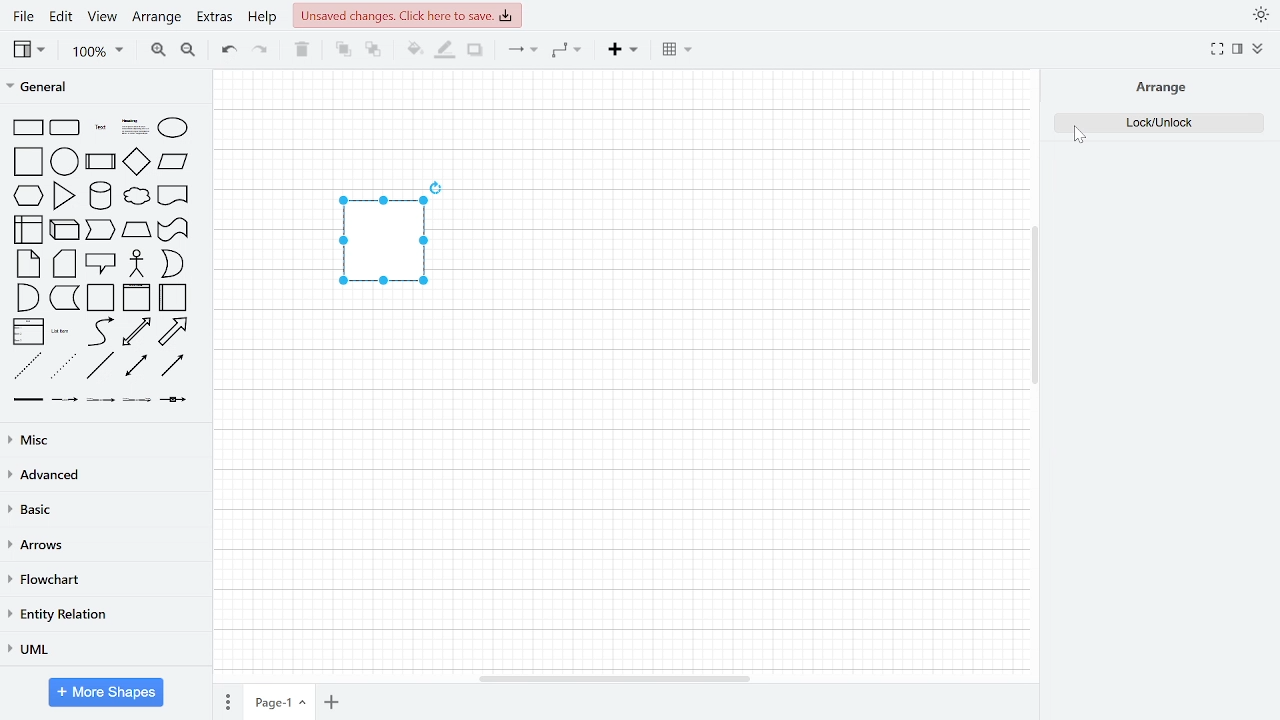 Image resolution: width=1280 pixels, height=720 pixels. Describe the element at coordinates (99, 332) in the screenshot. I see `curve` at that location.